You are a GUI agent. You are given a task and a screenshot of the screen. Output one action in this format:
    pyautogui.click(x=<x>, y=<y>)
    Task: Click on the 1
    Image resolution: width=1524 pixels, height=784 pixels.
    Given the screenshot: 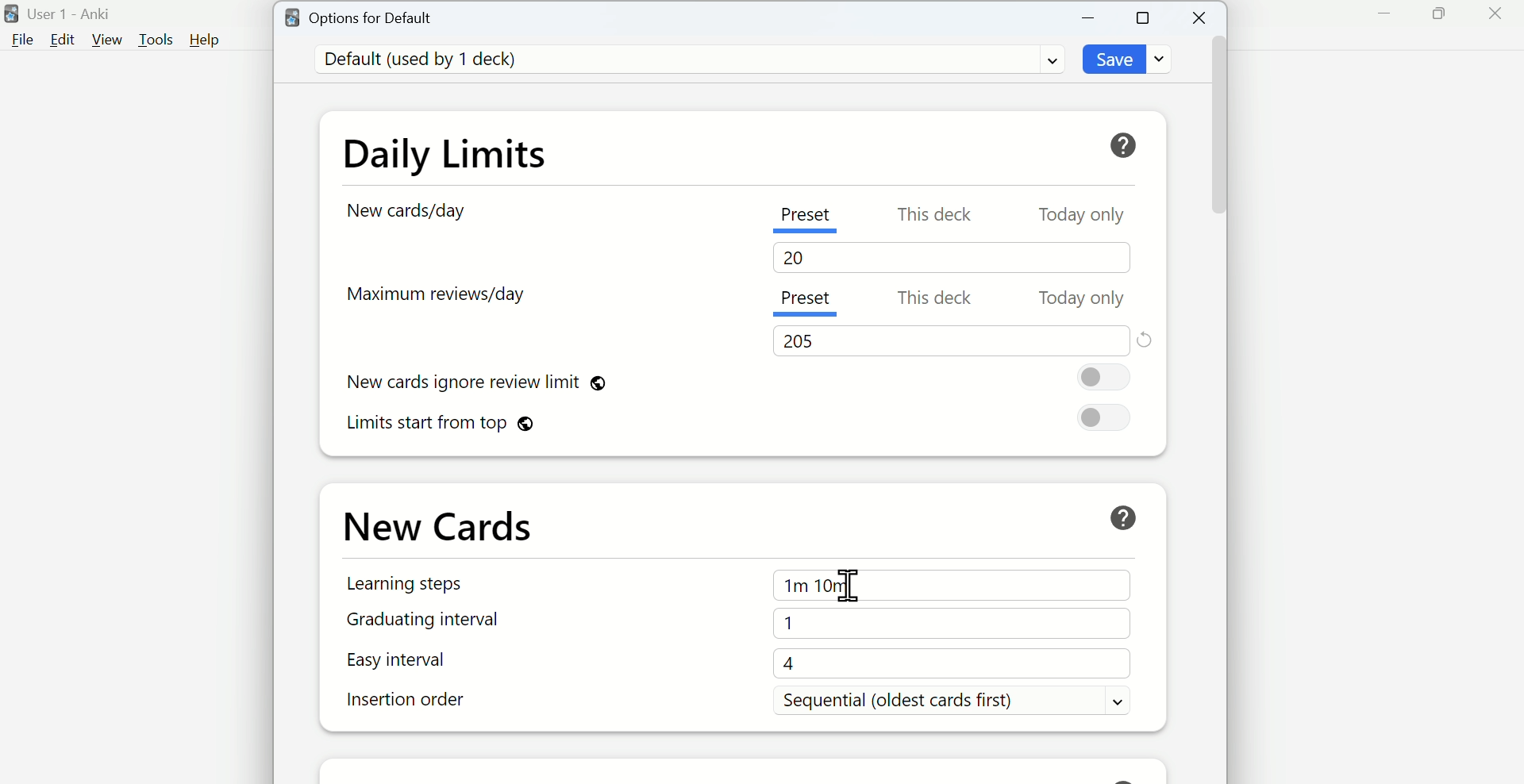 What is the action you would take?
    pyautogui.click(x=946, y=623)
    